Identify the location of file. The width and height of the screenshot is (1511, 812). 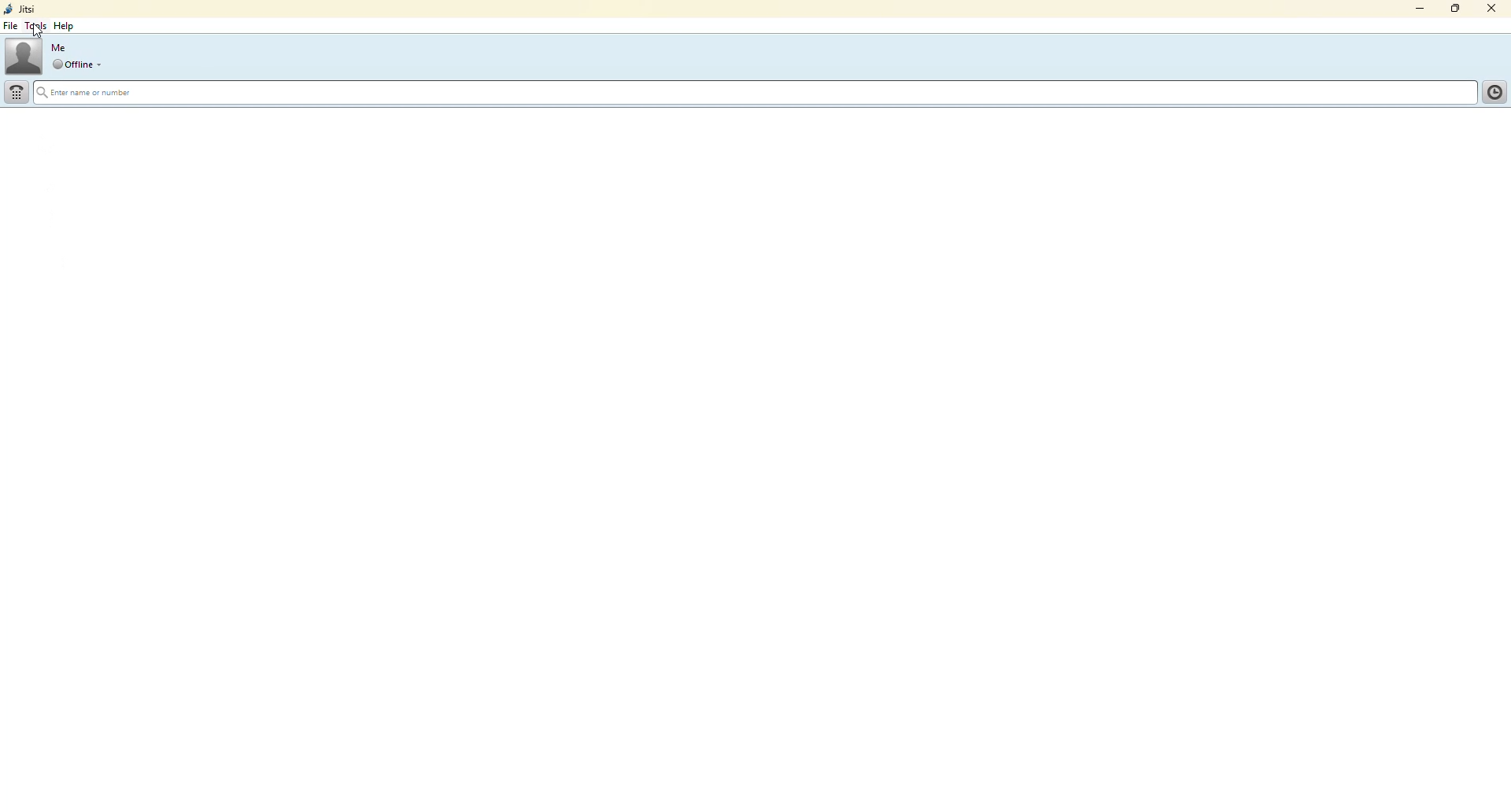
(10, 26).